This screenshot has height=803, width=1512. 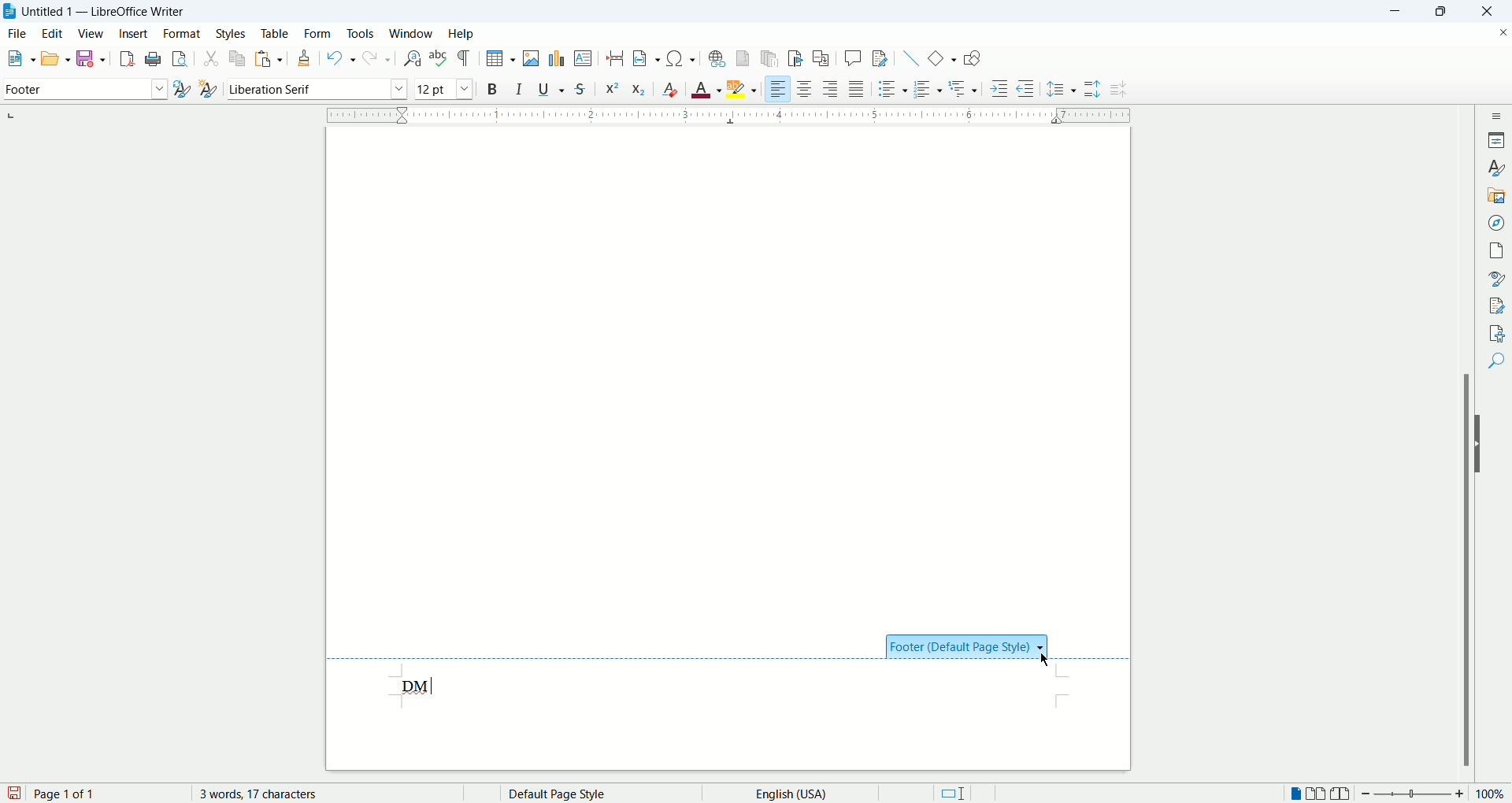 What do you see at coordinates (412, 34) in the screenshot?
I see `window` at bounding box center [412, 34].